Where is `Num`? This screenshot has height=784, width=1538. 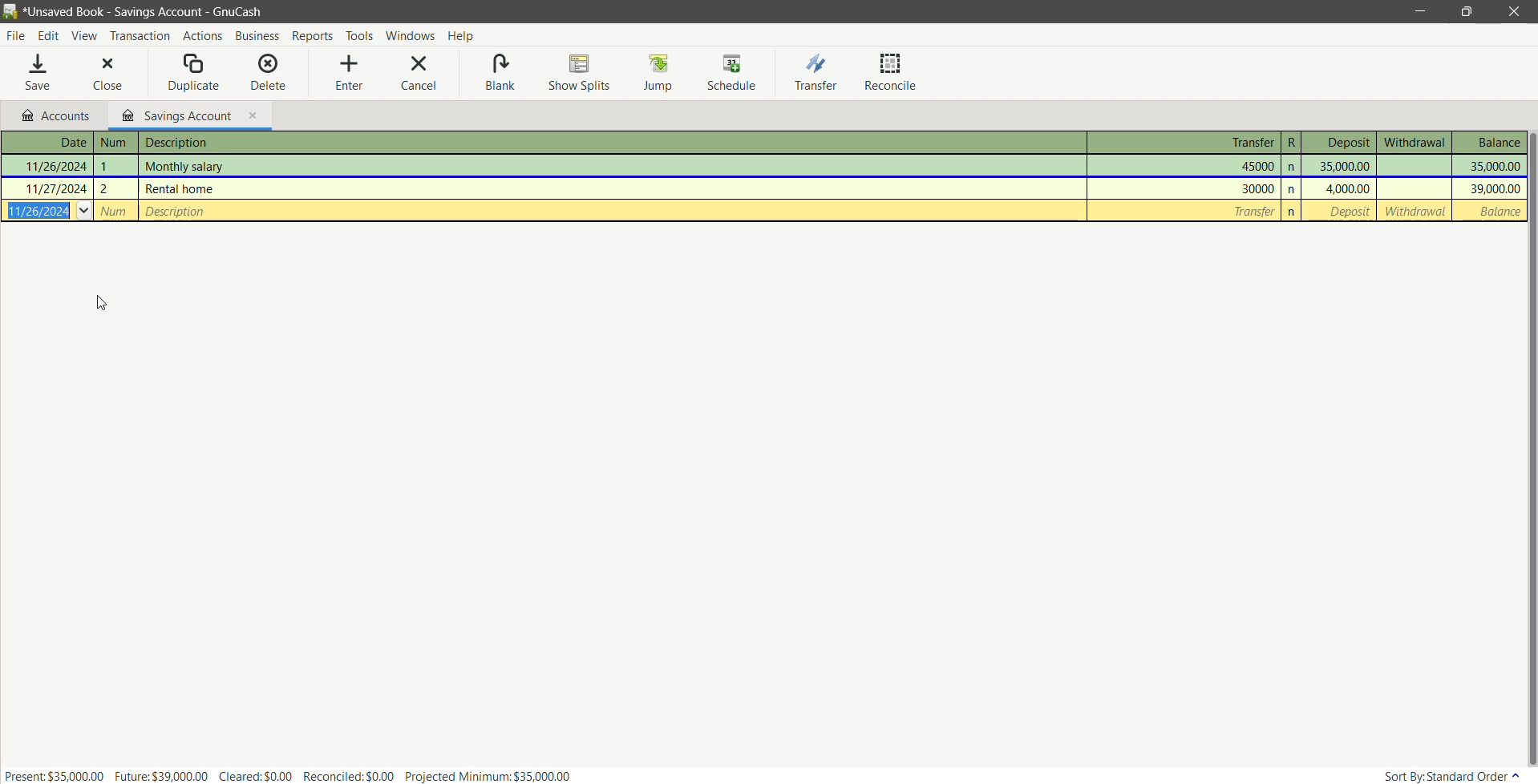
Num is located at coordinates (117, 143).